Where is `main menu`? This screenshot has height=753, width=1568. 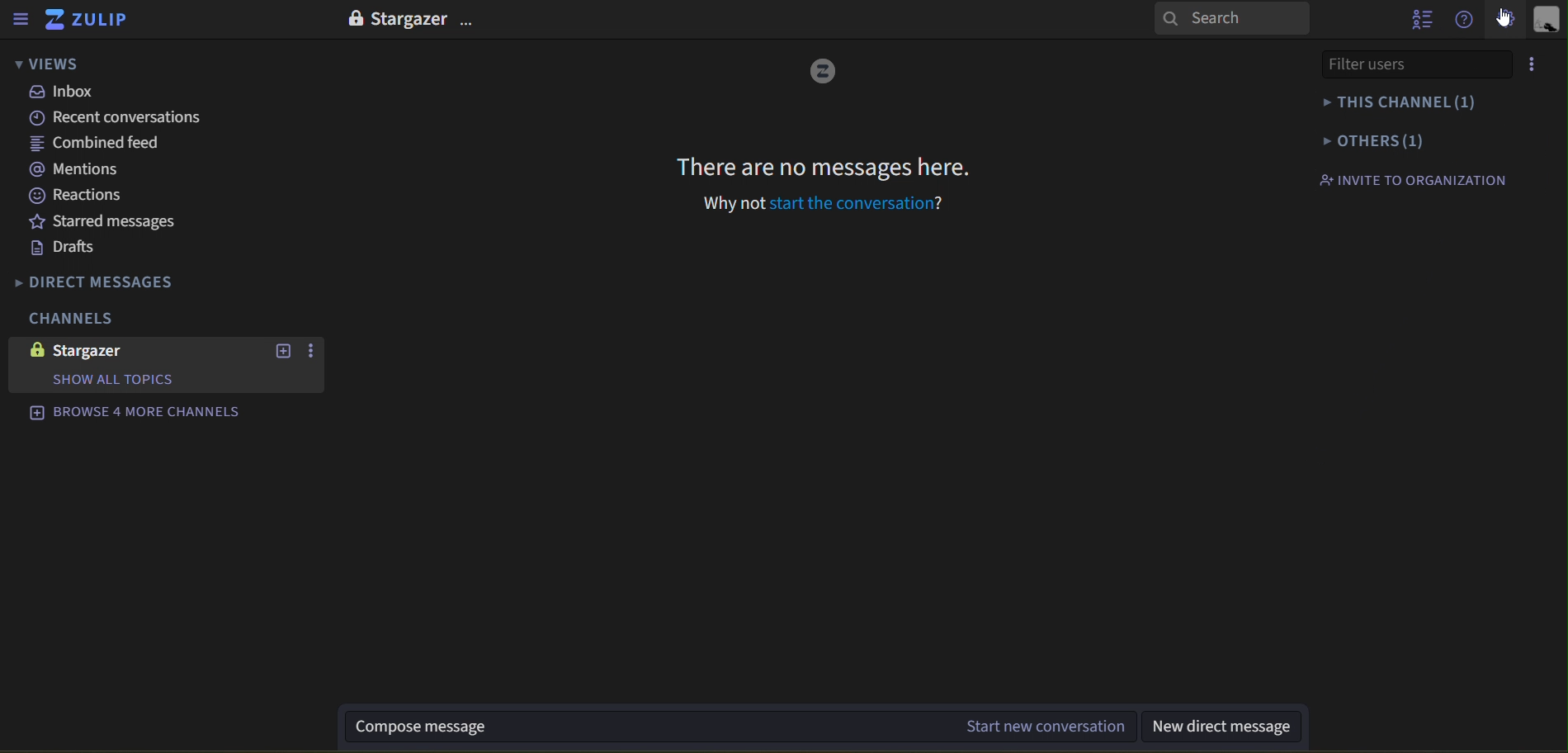 main menu is located at coordinates (1502, 18).